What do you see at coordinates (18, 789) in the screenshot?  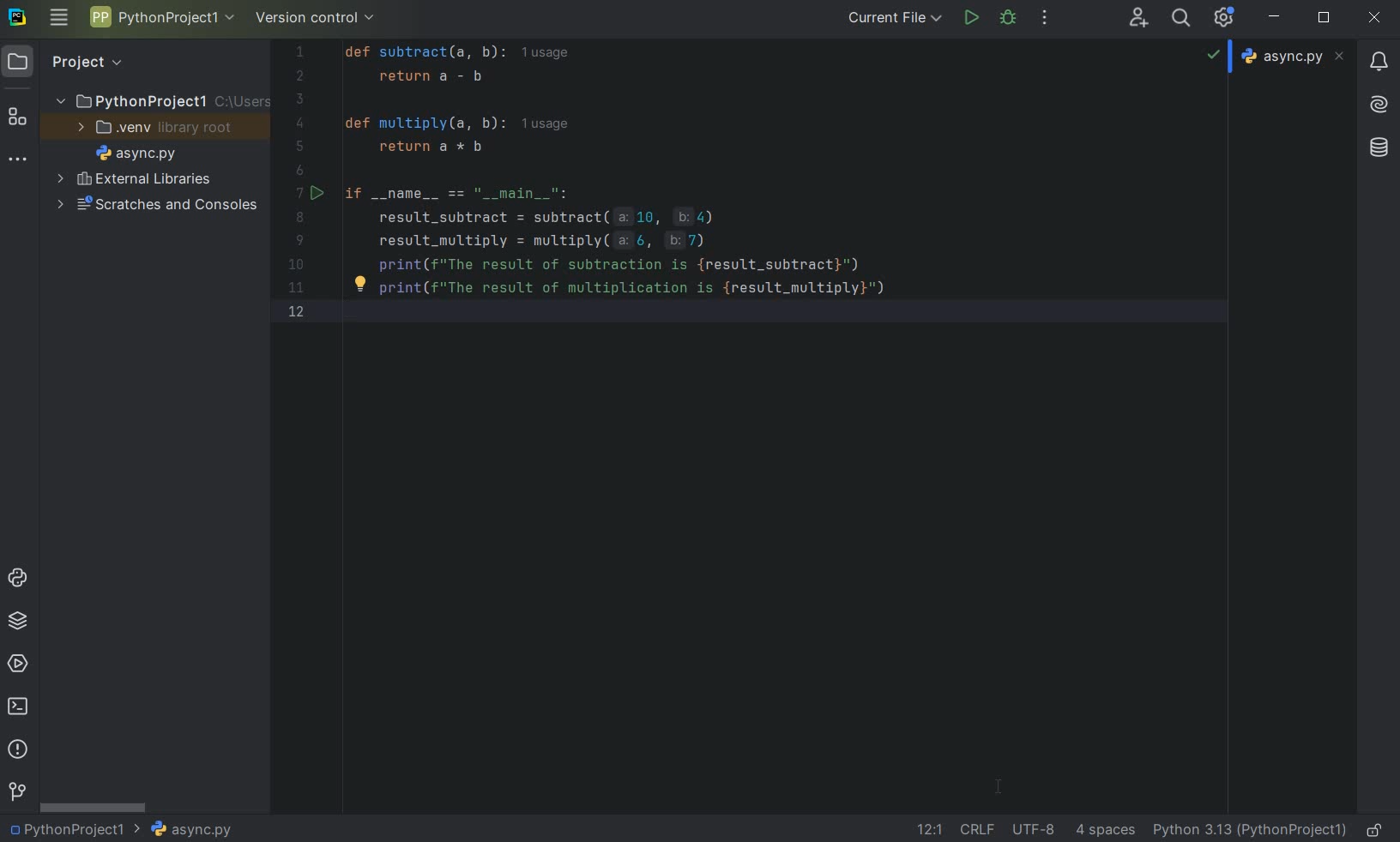 I see `version control` at bounding box center [18, 789].